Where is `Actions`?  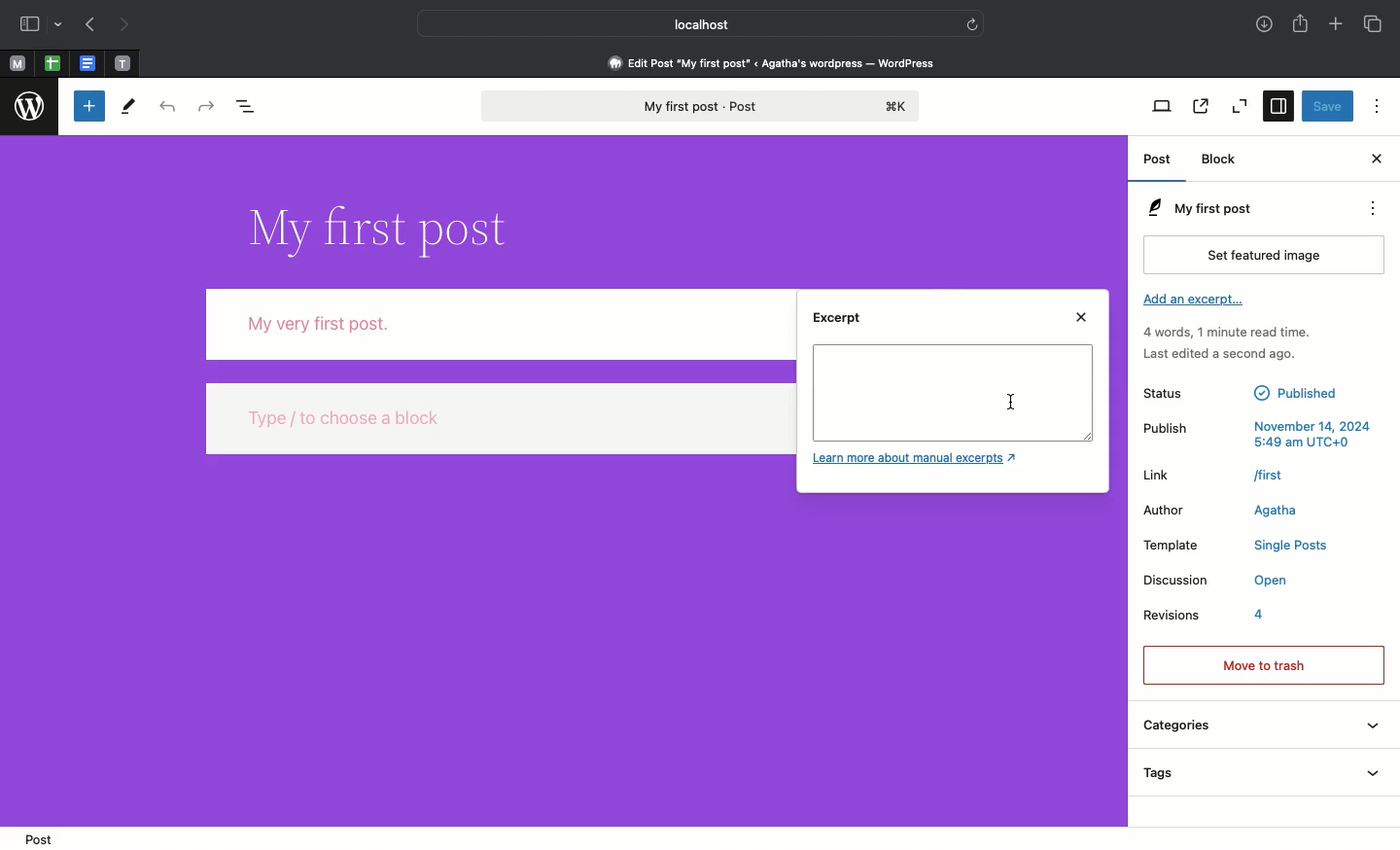
Actions is located at coordinates (1381, 209).